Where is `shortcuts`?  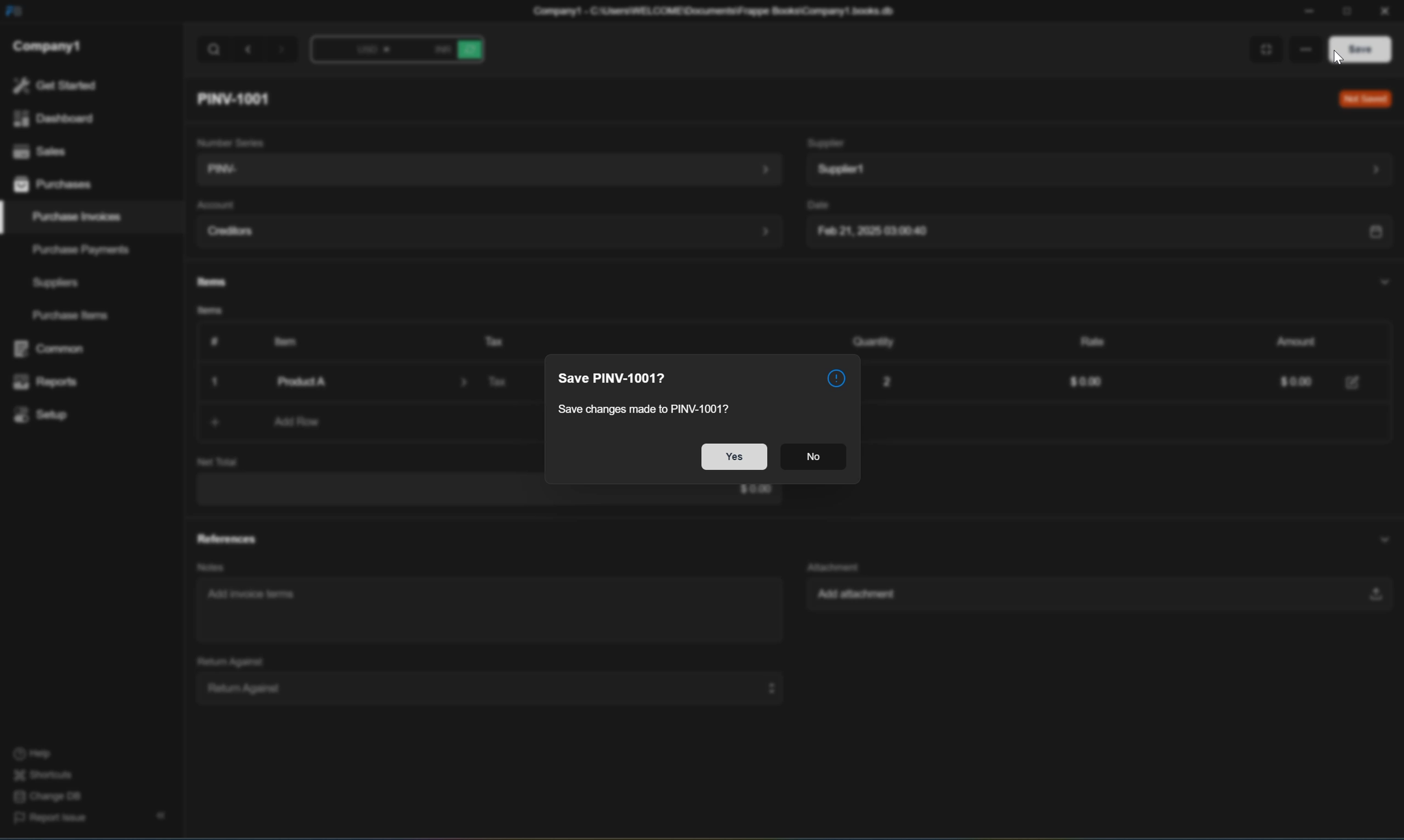
shortcuts is located at coordinates (44, 775).